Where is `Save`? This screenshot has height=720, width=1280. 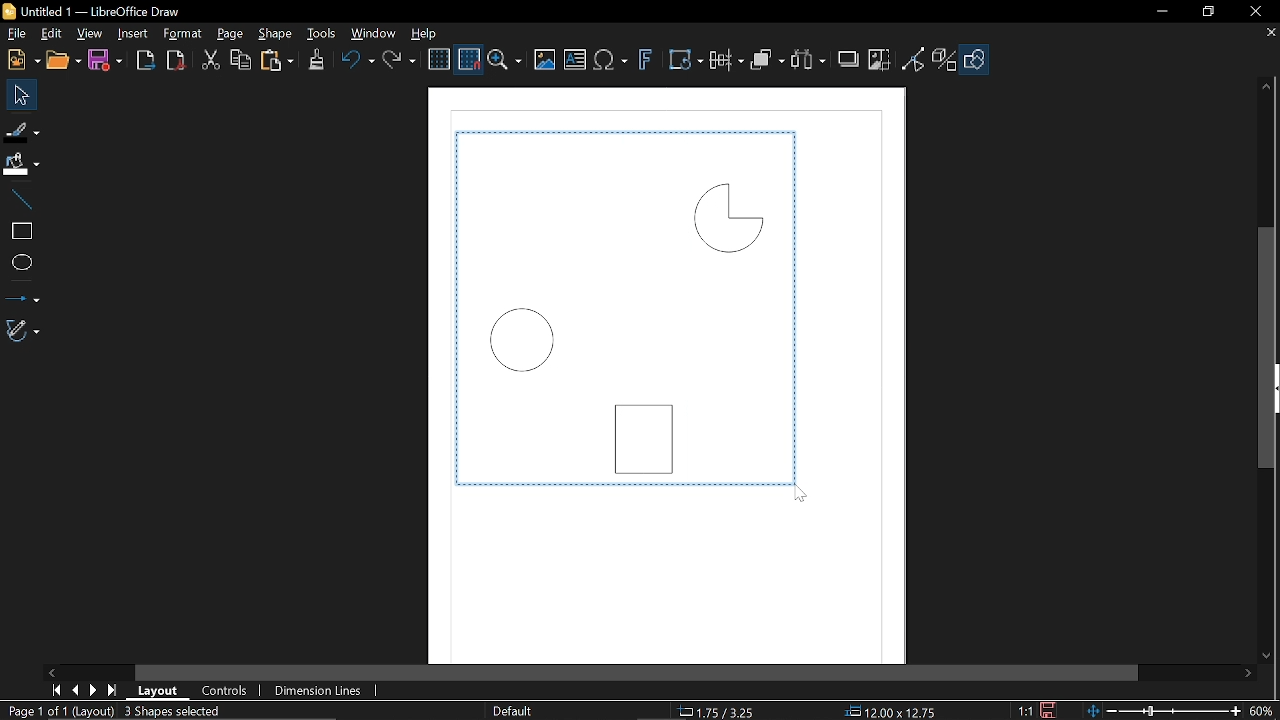
Save is located at coordinates (1045, 710).